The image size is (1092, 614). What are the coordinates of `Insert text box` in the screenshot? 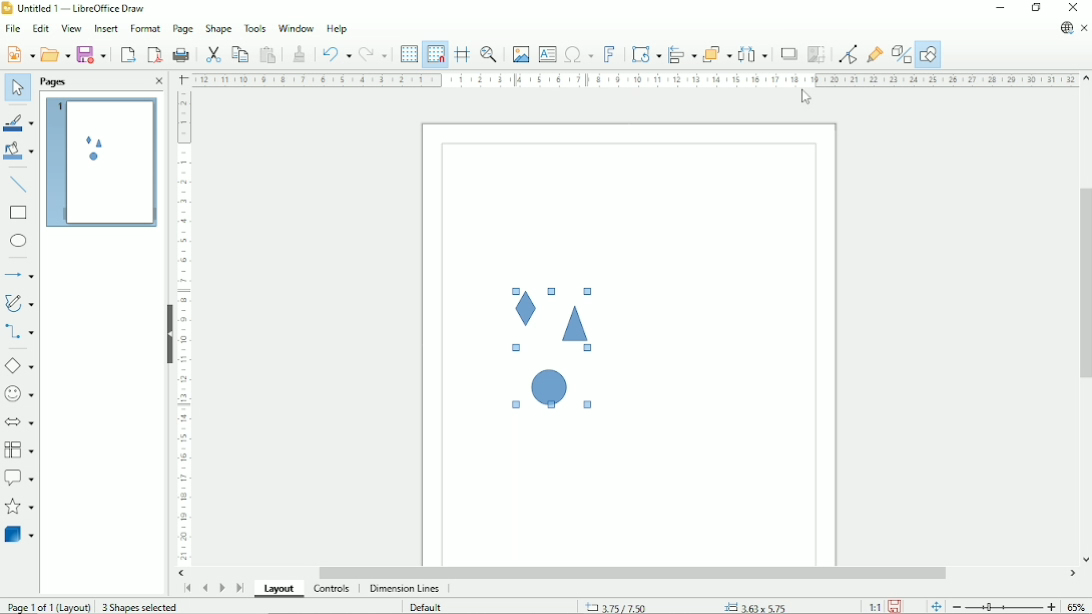 It's located at (547, 54).